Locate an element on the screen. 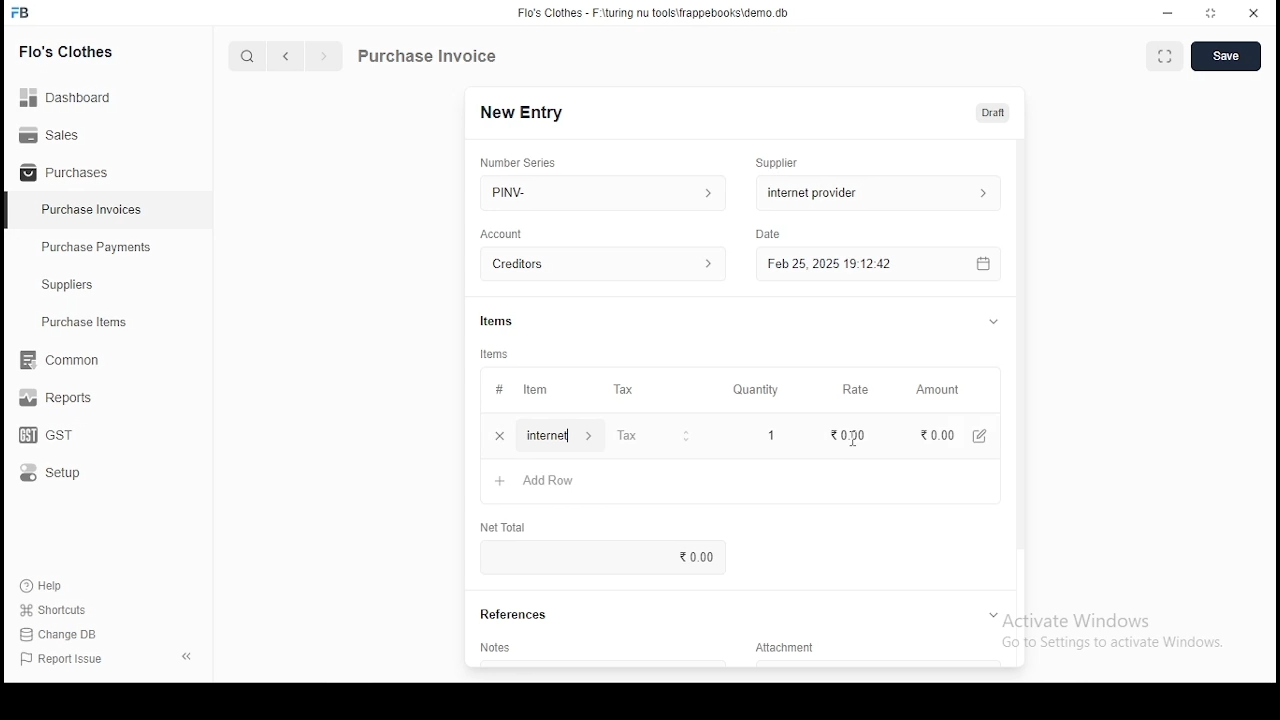 The width and height of the screenshot is (1280, 720). edit is located at coordinates (974, 437).